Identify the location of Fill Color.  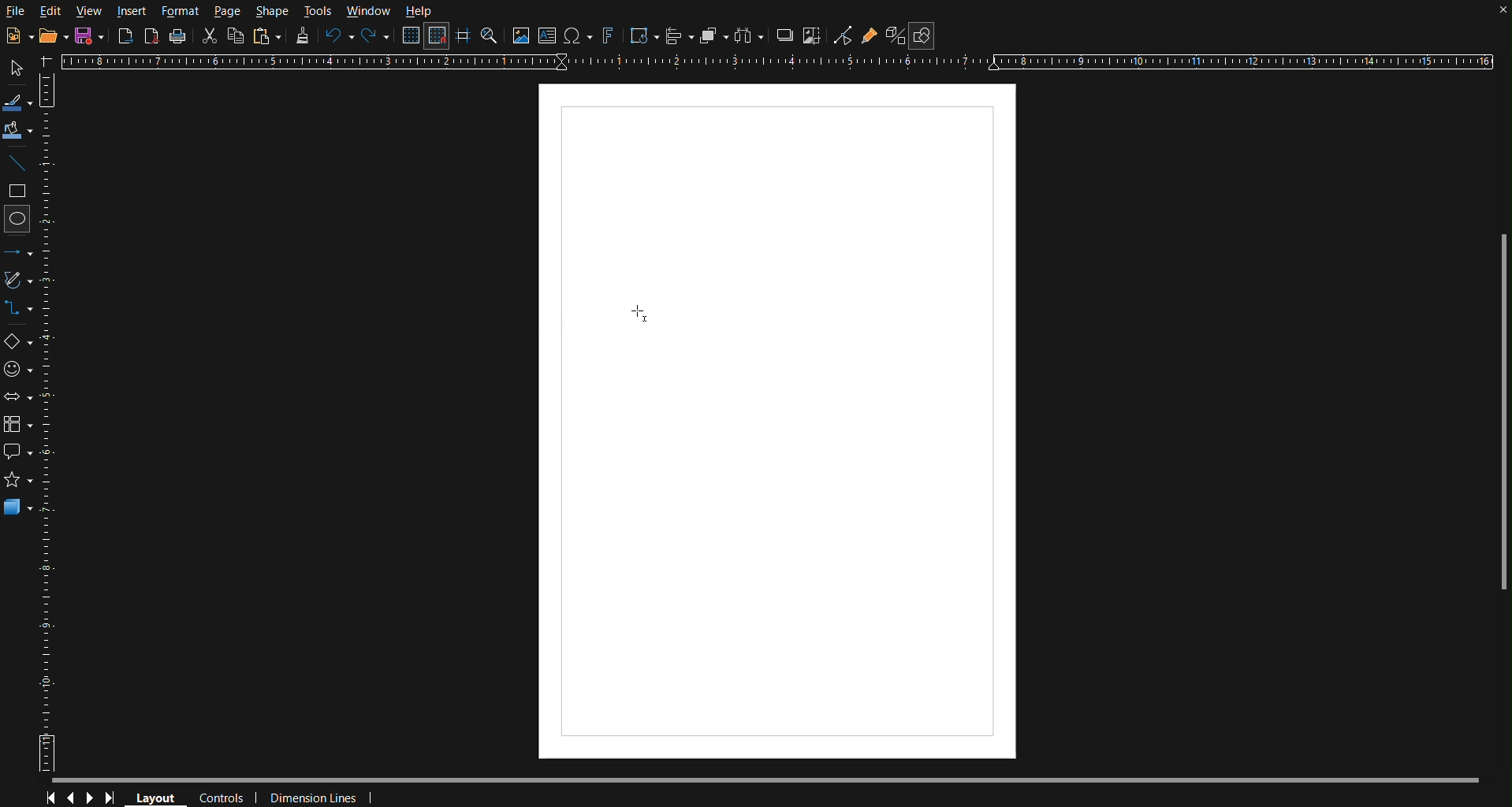
(19, 131).